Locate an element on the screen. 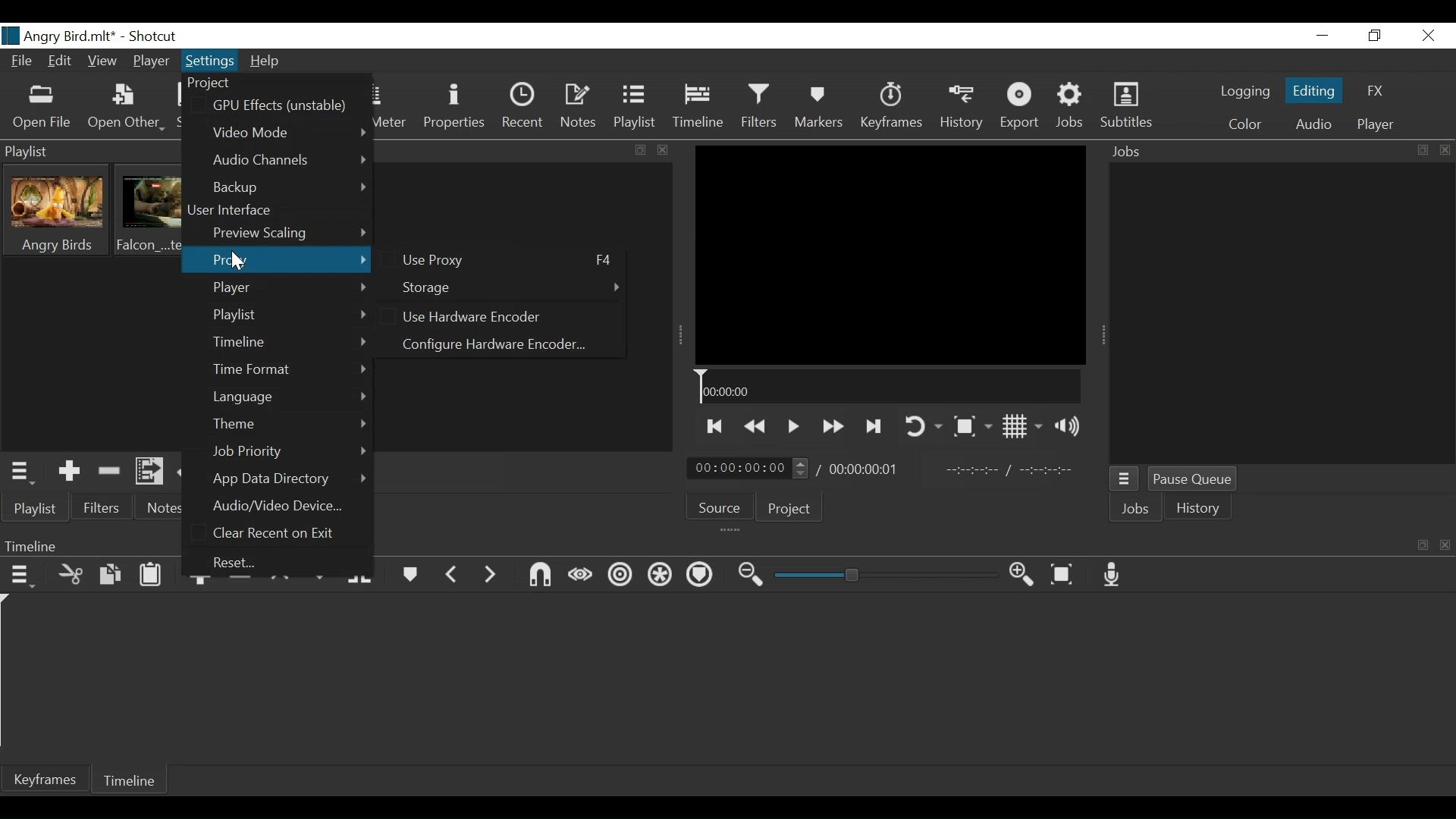 This screenshot has height=819, width=1456. Language is located at coordinates (290, 396).